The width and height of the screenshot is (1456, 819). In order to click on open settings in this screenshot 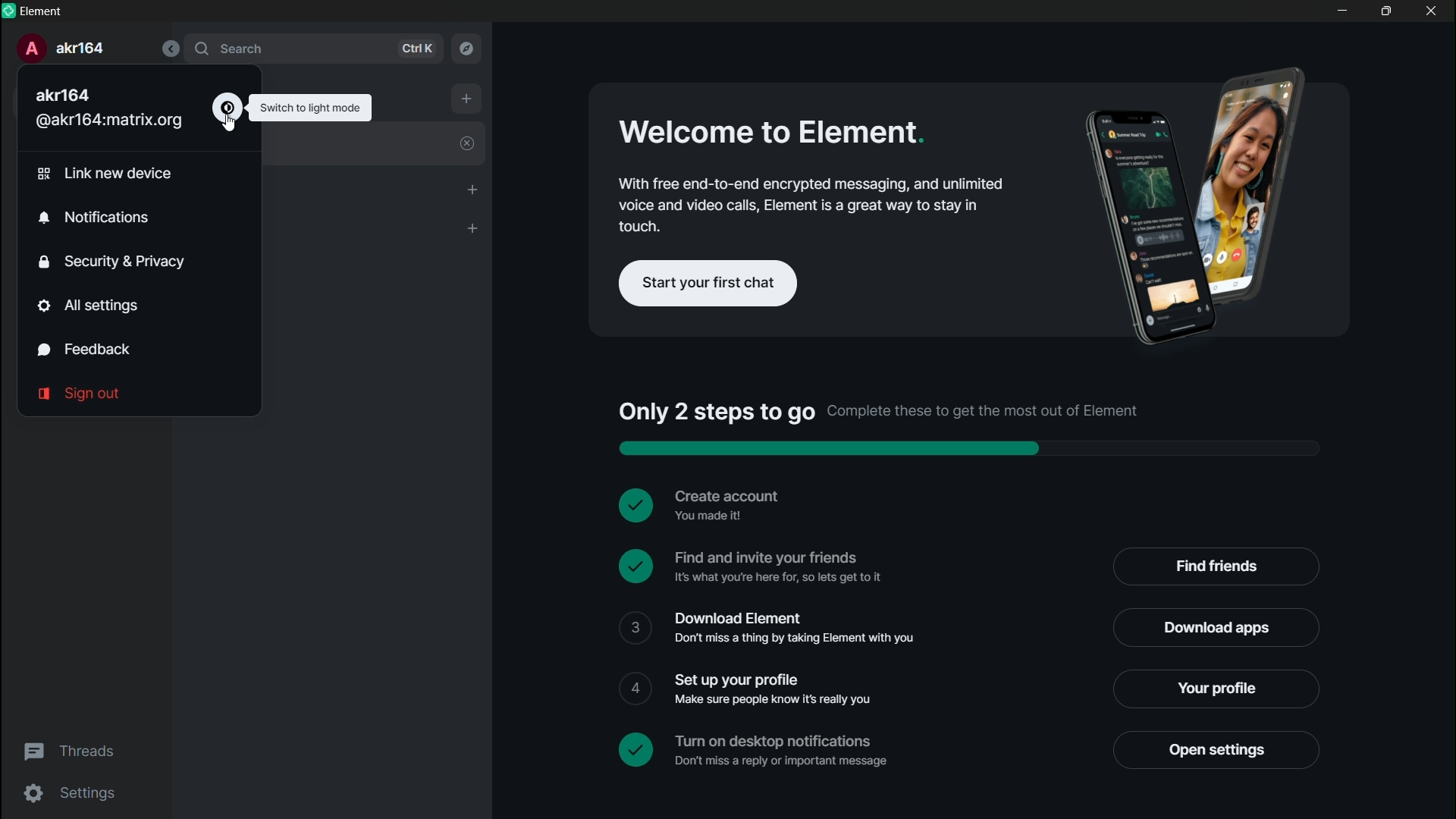, I will do `click(1216, 752)`.